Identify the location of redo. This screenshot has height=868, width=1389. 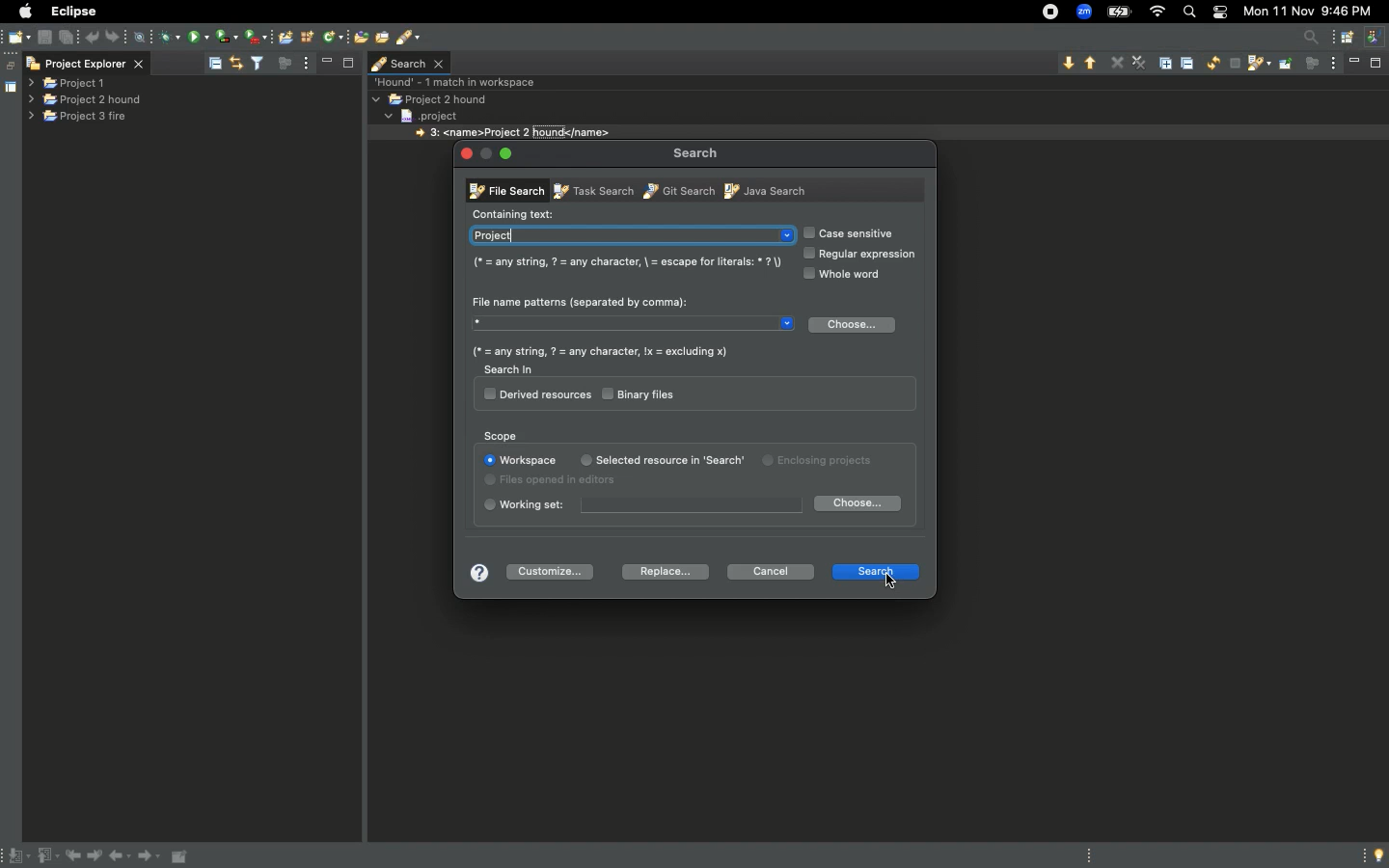
(118, 35).